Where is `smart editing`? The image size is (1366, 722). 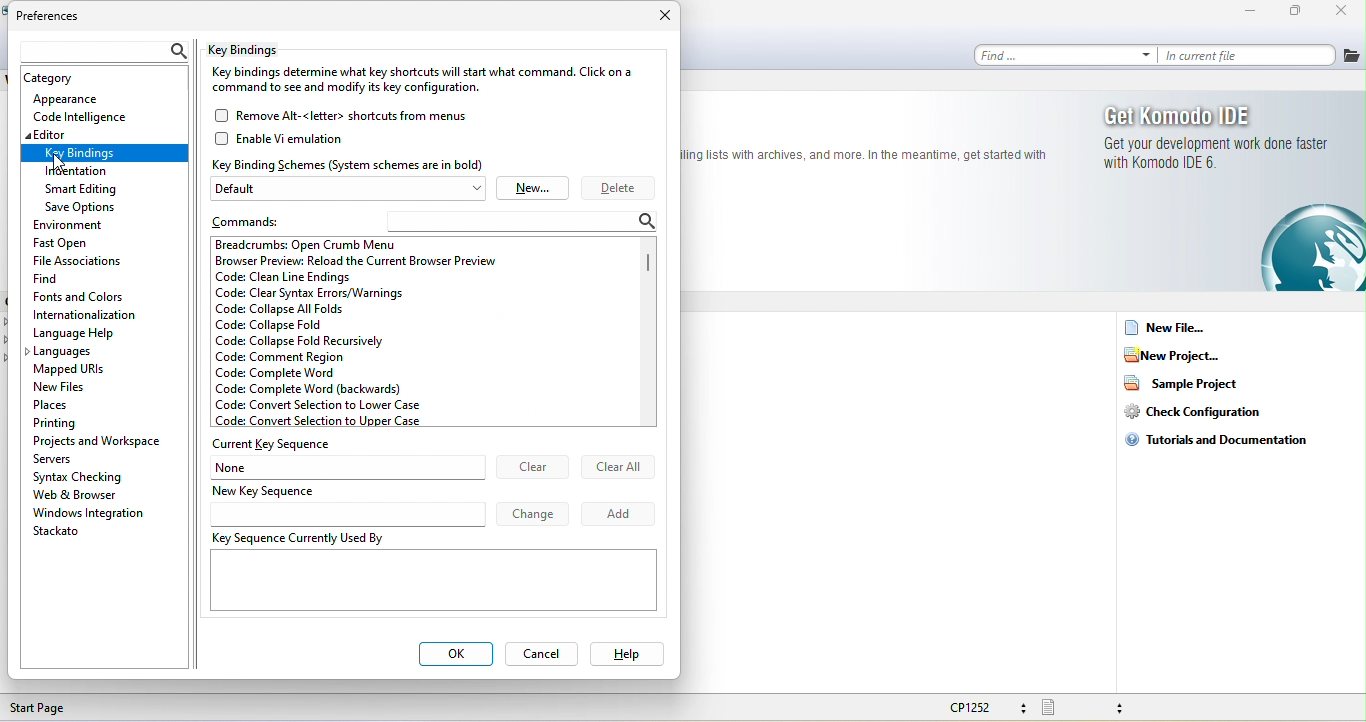
smart editing is located at coordinates (90, 189).